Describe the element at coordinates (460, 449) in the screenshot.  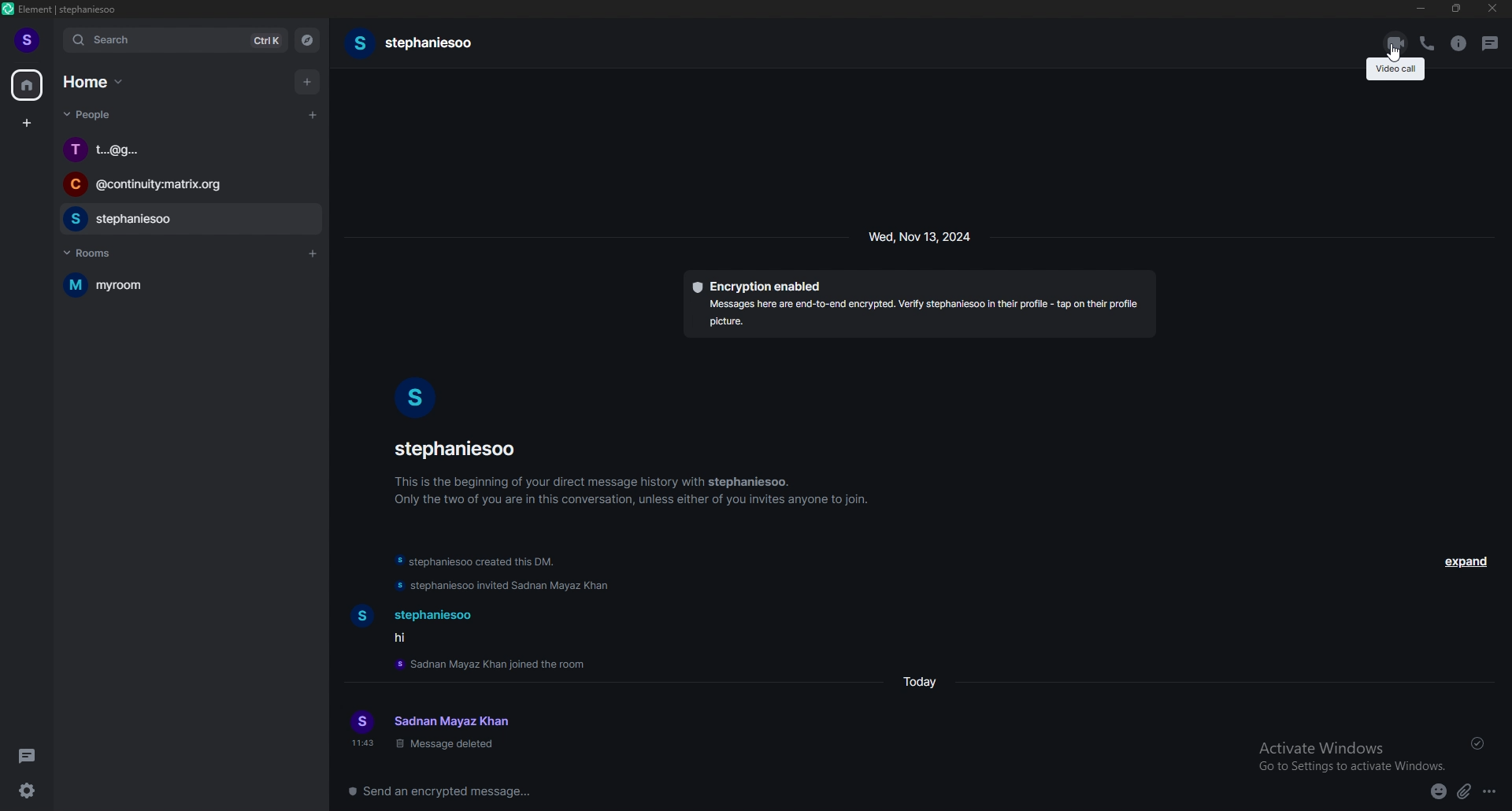
I see `username` at that location.